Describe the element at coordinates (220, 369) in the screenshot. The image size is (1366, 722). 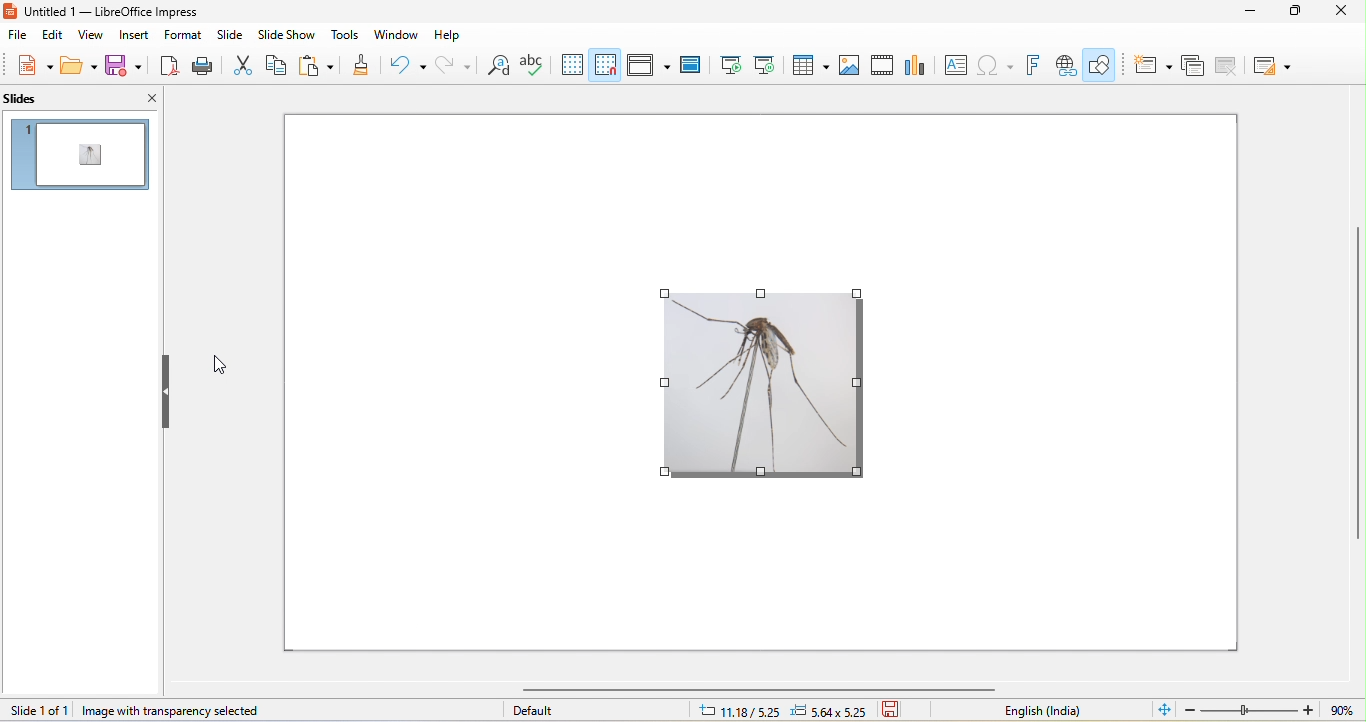
I see `cursor movement` at that location.